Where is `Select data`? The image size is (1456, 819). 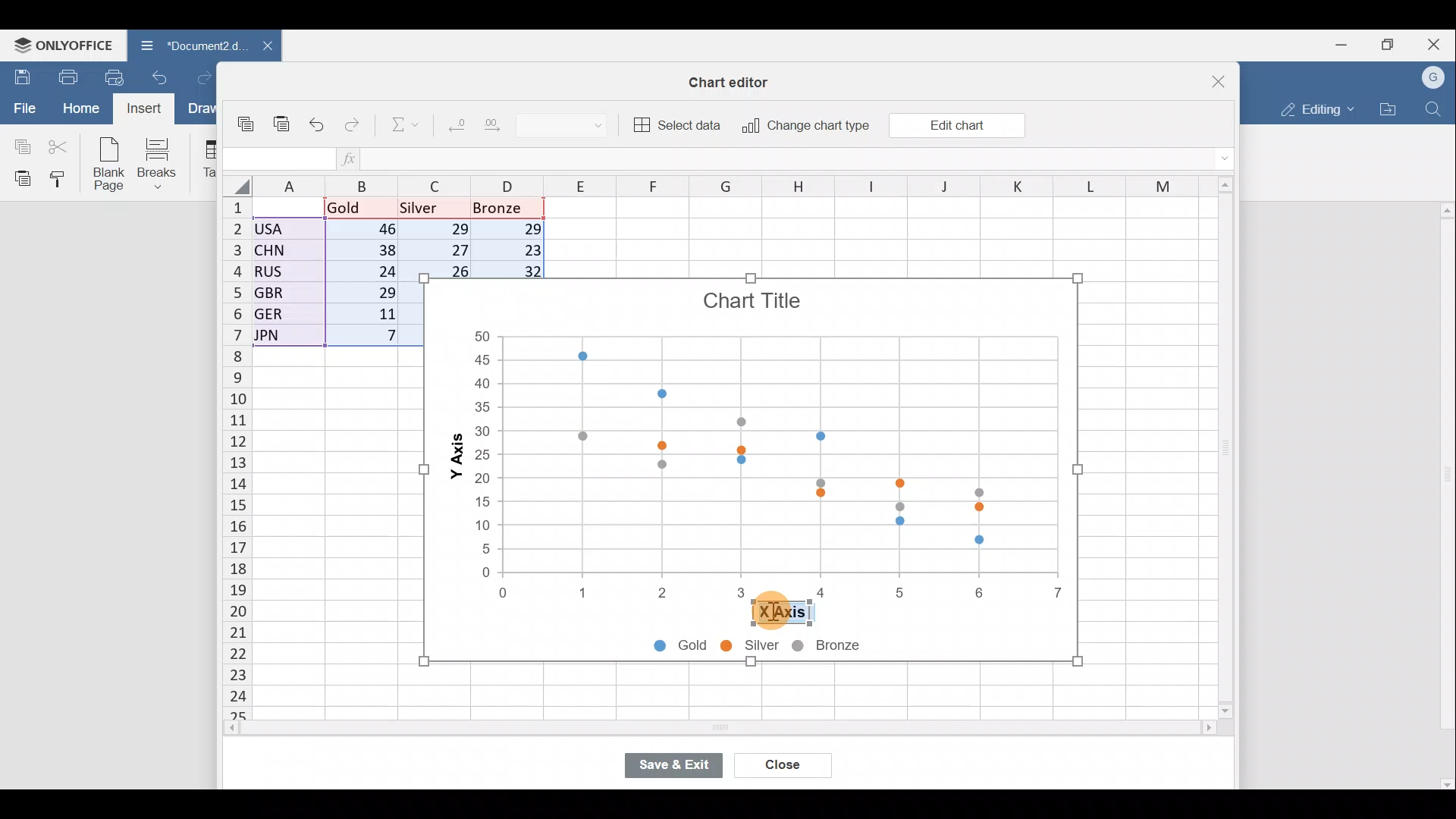 Select data is located at coordinates (679, 125).